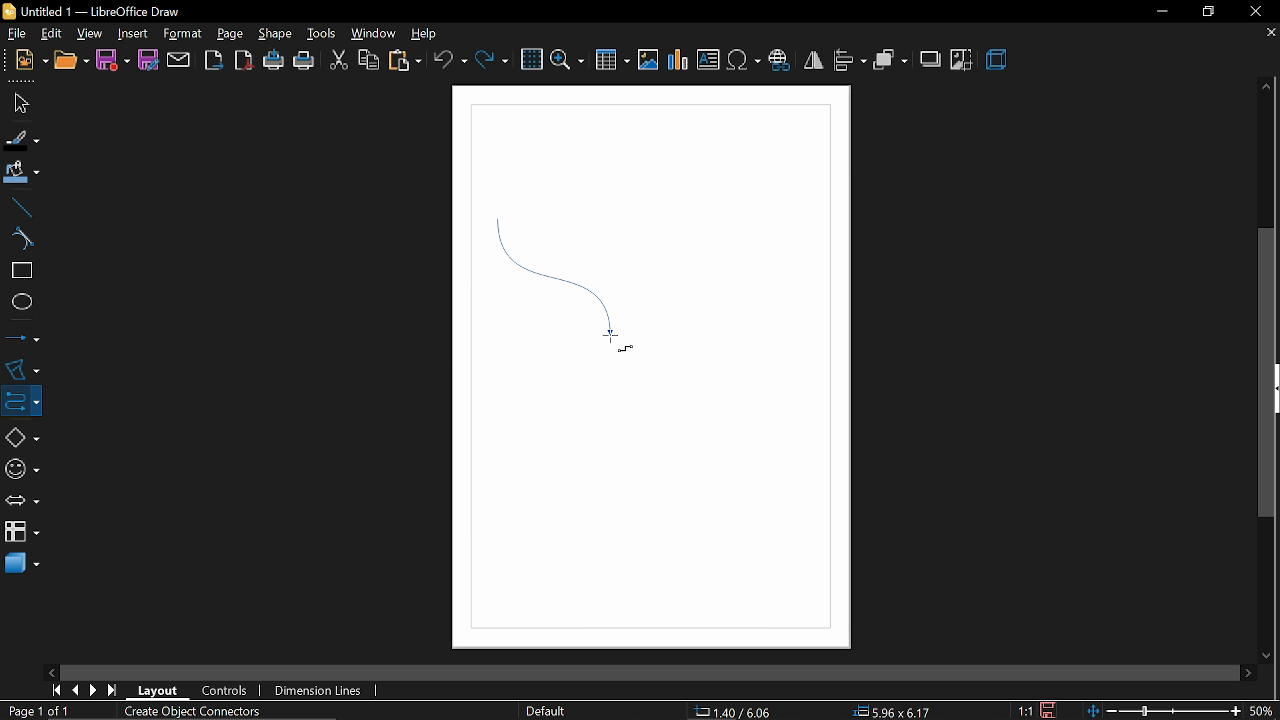 The image size is (1280, 720). Describe the element at coordinates (54, 691) in the screenshot. I see `go to first page` at that location.